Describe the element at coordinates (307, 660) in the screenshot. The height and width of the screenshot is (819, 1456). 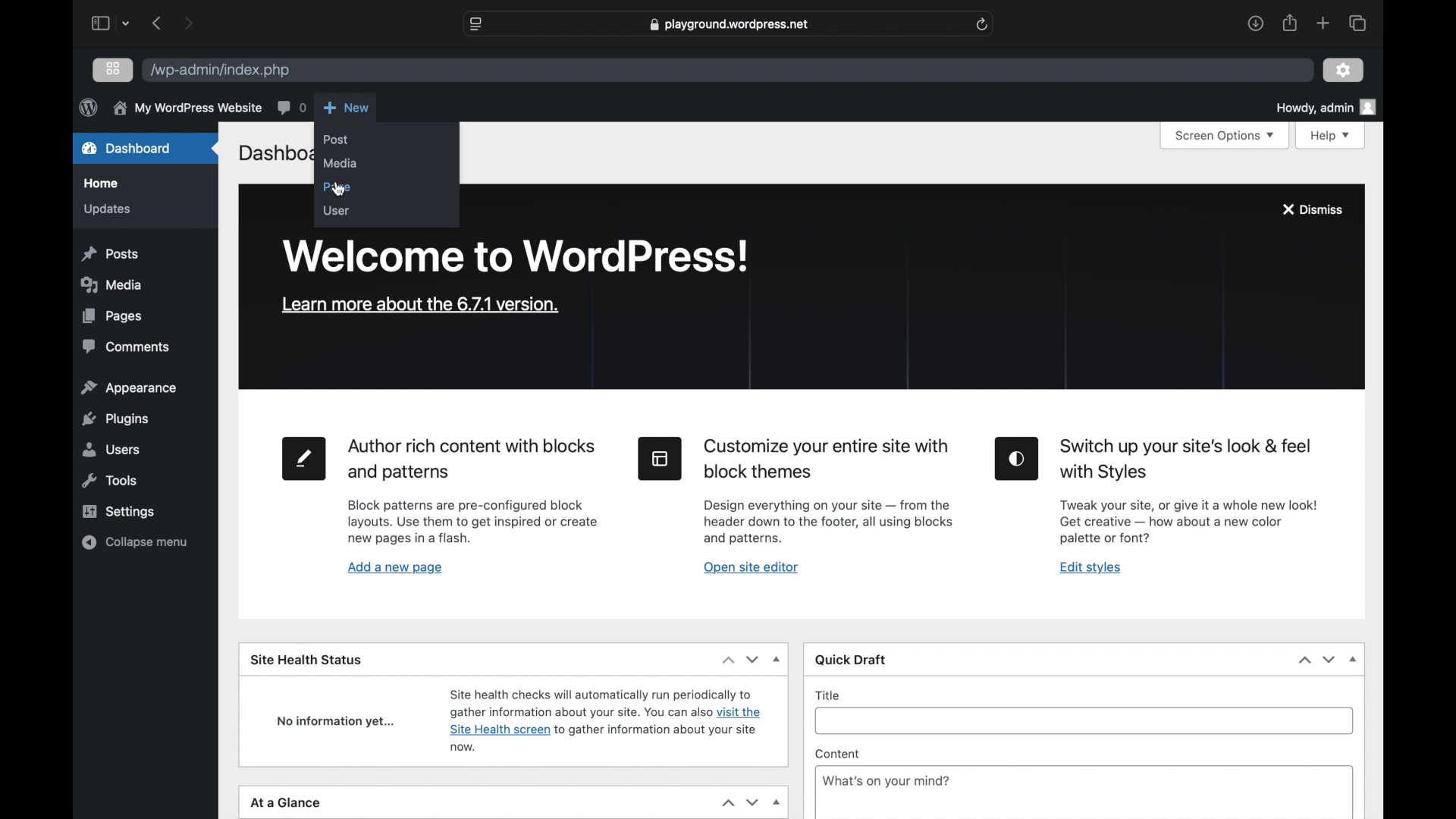
I see `site health status` at that location.